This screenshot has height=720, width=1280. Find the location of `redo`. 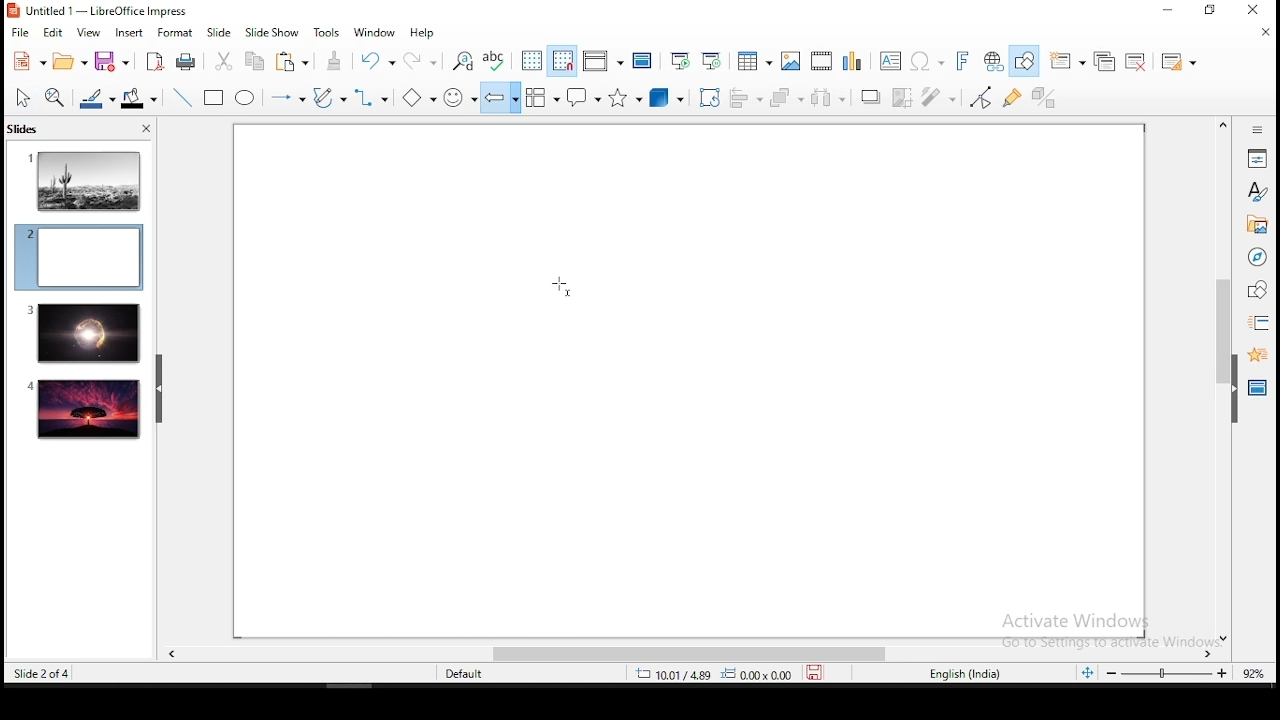

redo is located at coordinates (423, 58).